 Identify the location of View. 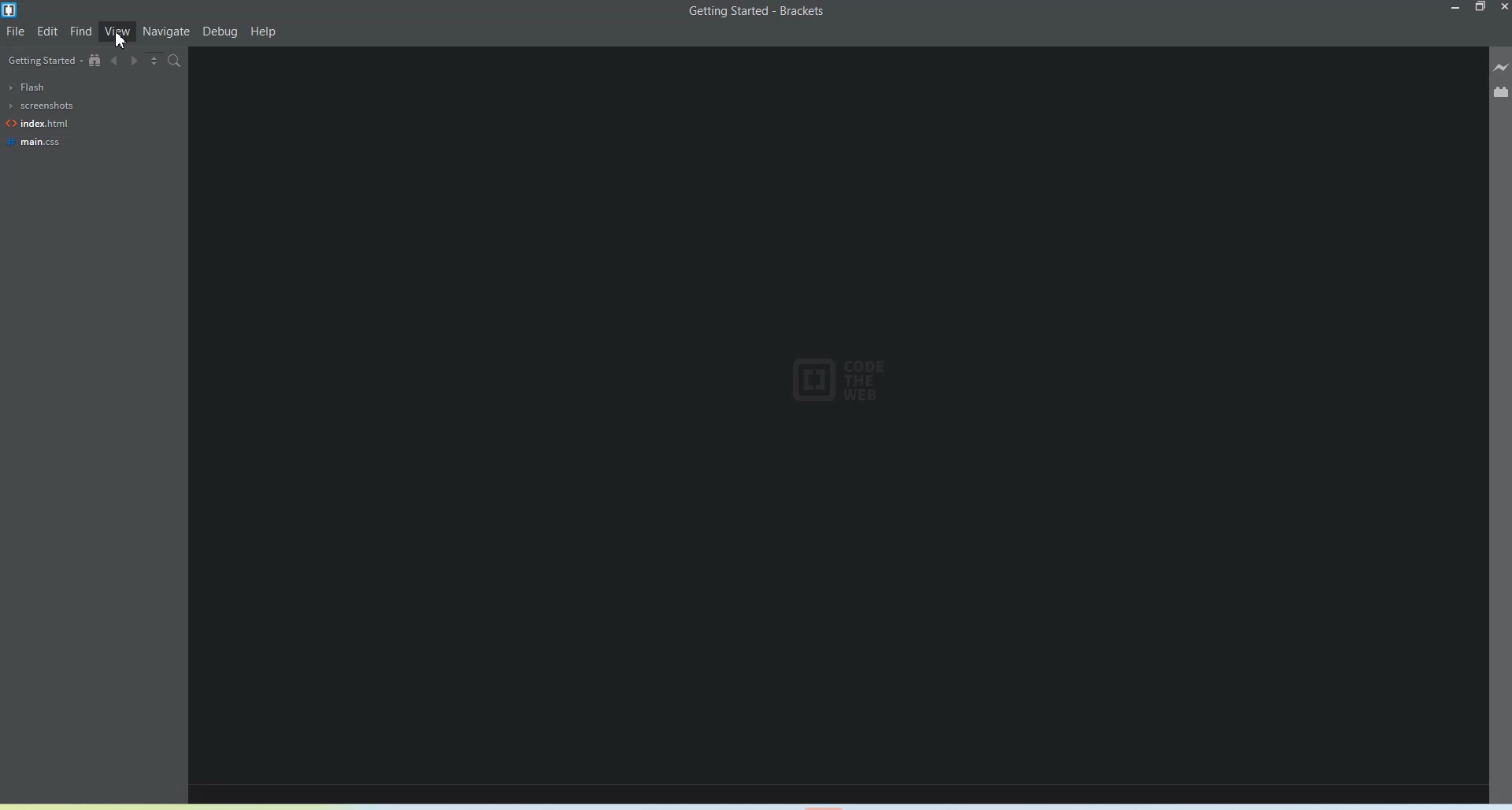
(117, 31).